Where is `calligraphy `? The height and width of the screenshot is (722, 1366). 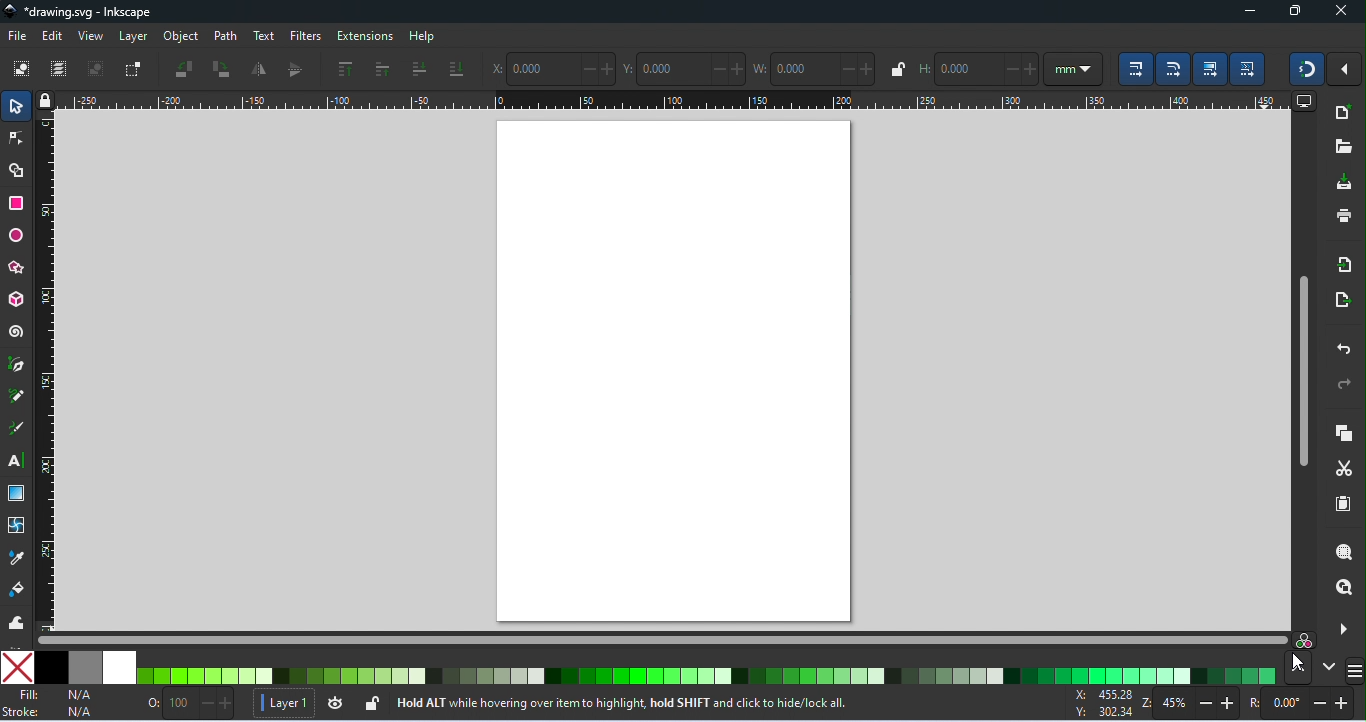 calligraphy  is located at coordinates (19, 430).